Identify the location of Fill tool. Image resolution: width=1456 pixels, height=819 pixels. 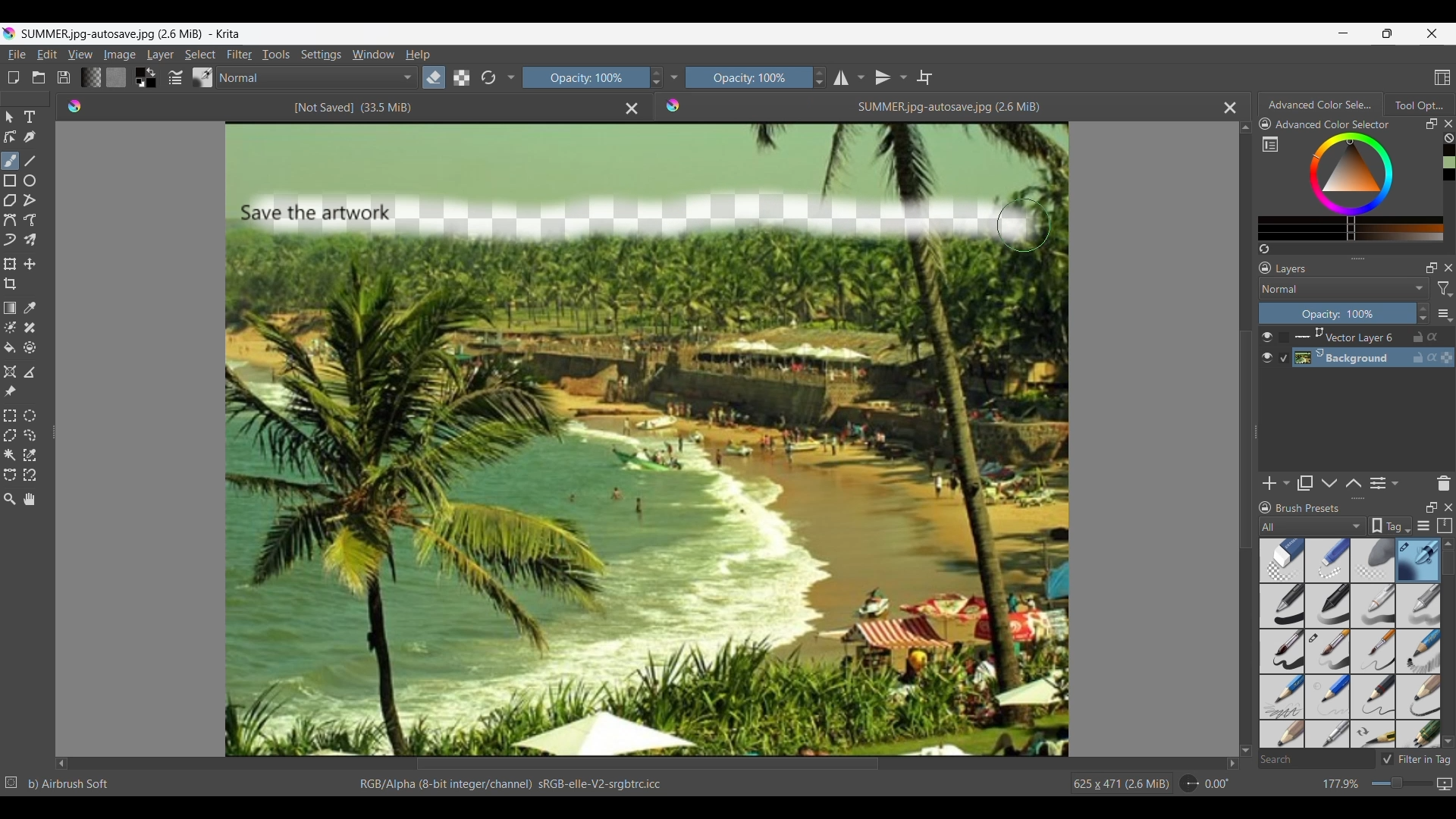
(11, 348).